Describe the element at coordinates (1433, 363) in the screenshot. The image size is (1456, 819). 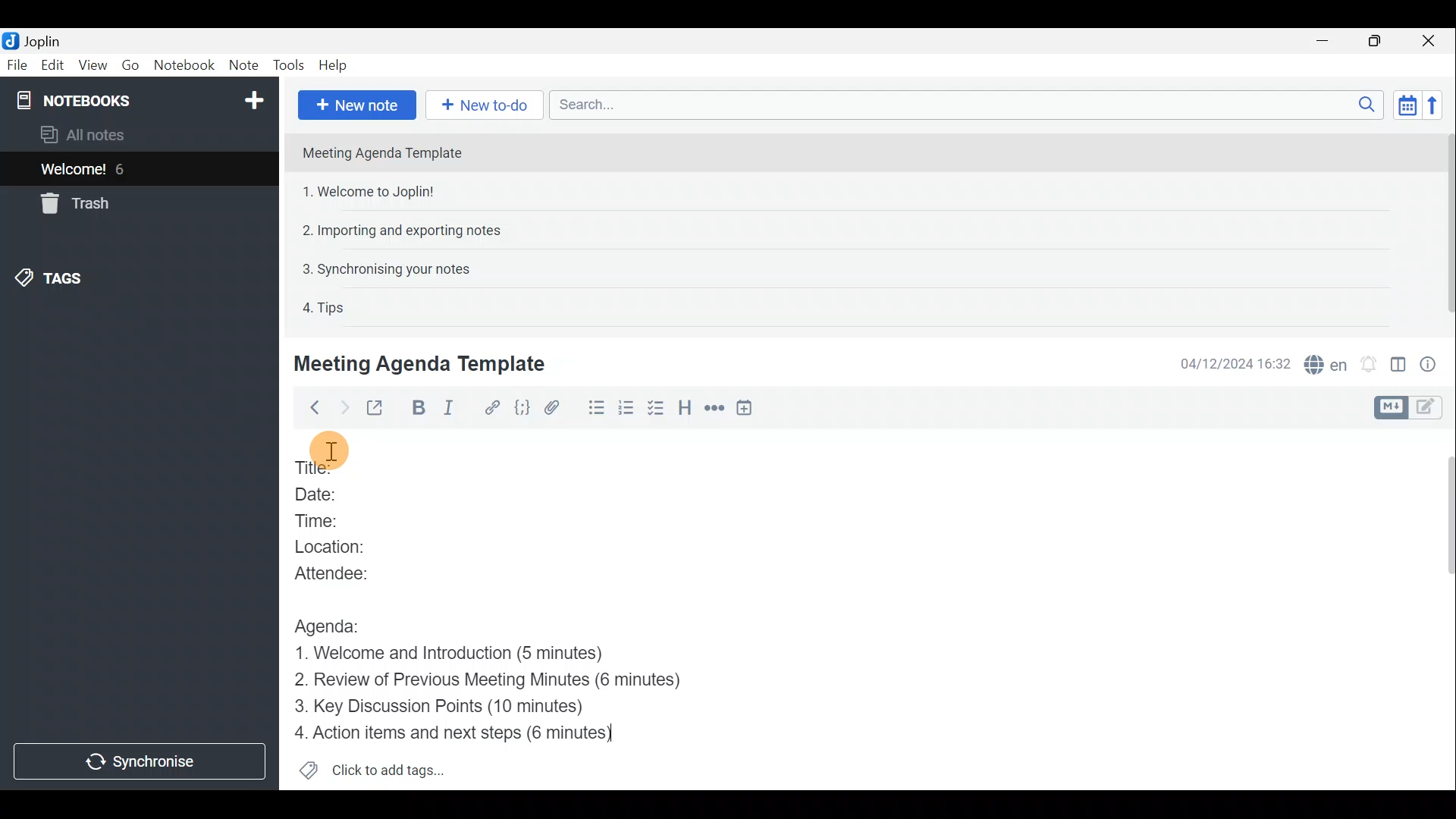
I see `Note properties` at that location.